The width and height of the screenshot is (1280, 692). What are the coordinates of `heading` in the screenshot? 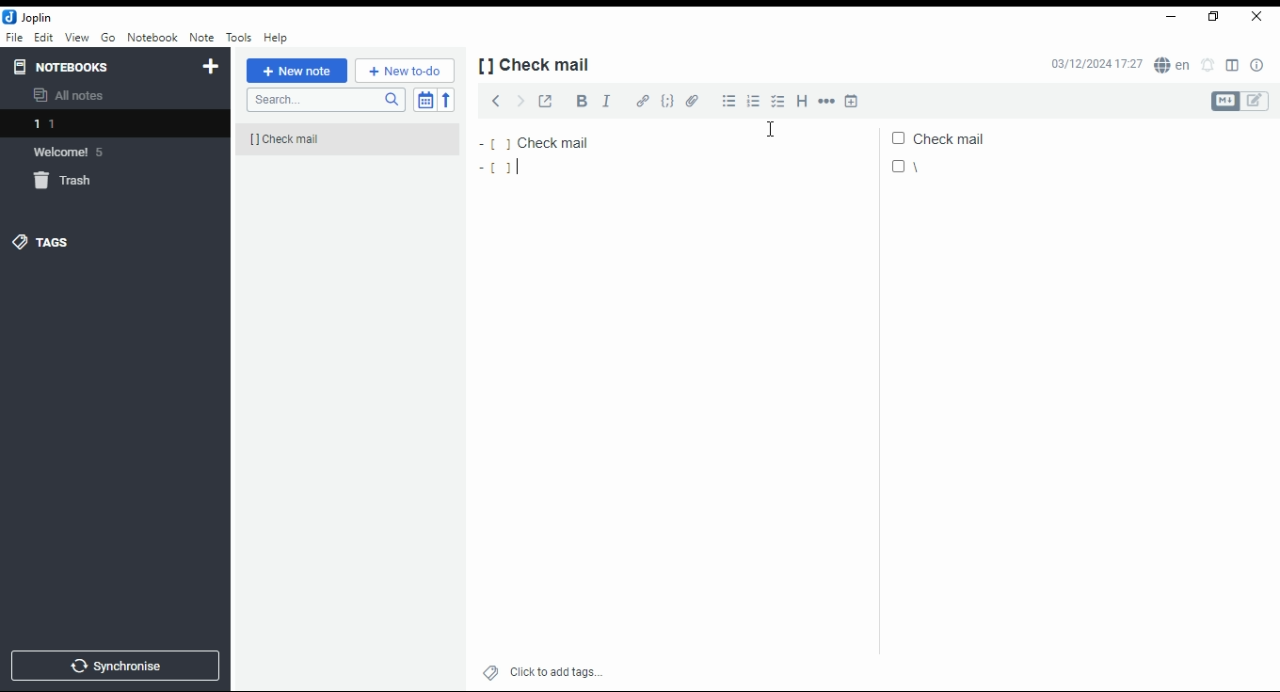 It's located at (803, 101).